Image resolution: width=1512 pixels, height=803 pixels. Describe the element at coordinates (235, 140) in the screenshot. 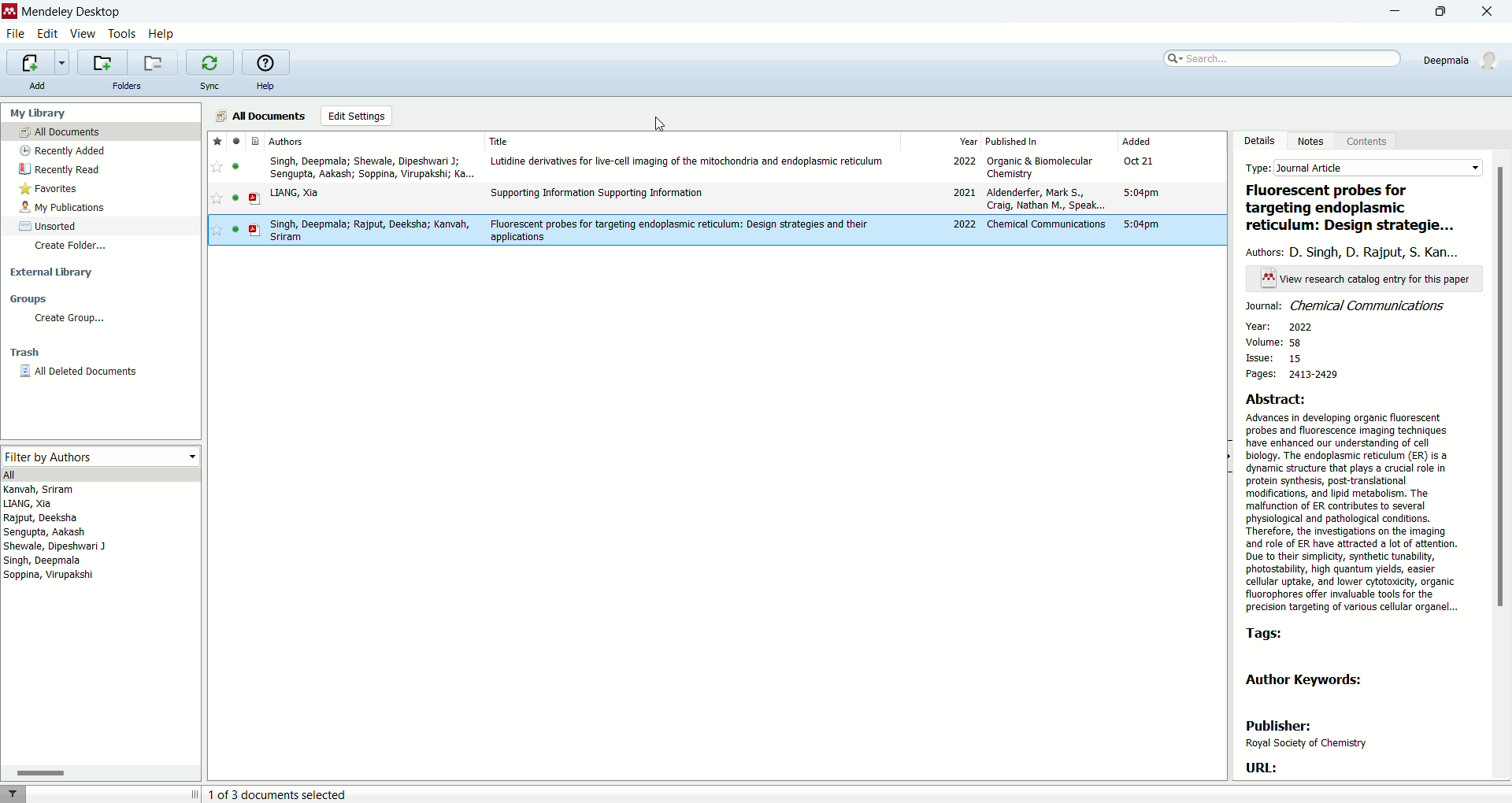

I see `read/unread` at that location.